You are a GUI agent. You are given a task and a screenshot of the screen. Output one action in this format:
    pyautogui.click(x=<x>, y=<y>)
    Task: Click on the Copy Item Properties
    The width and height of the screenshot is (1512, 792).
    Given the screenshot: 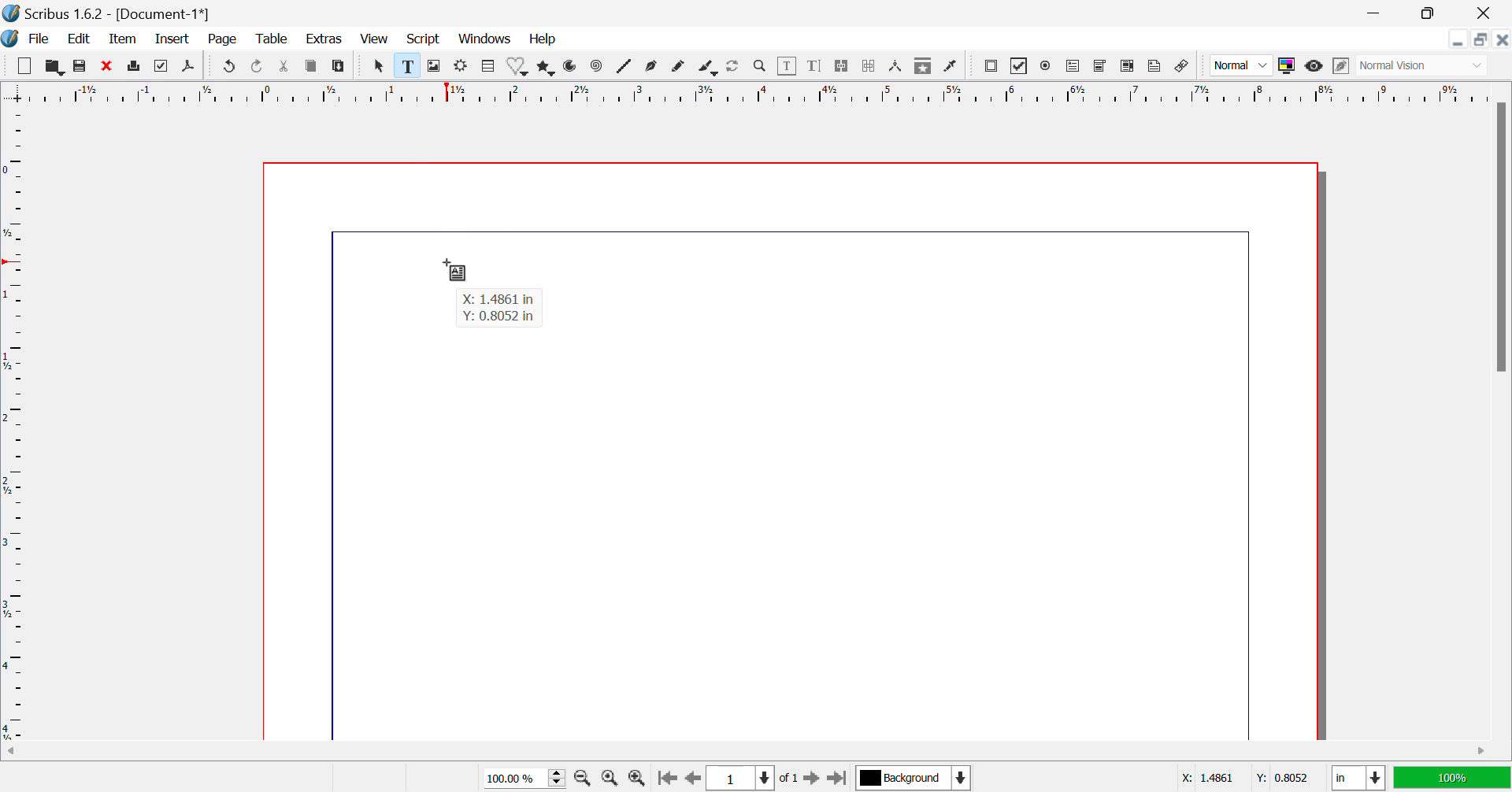 What is the action you would take?
    pyautogui.click(x=925, y=67)
    